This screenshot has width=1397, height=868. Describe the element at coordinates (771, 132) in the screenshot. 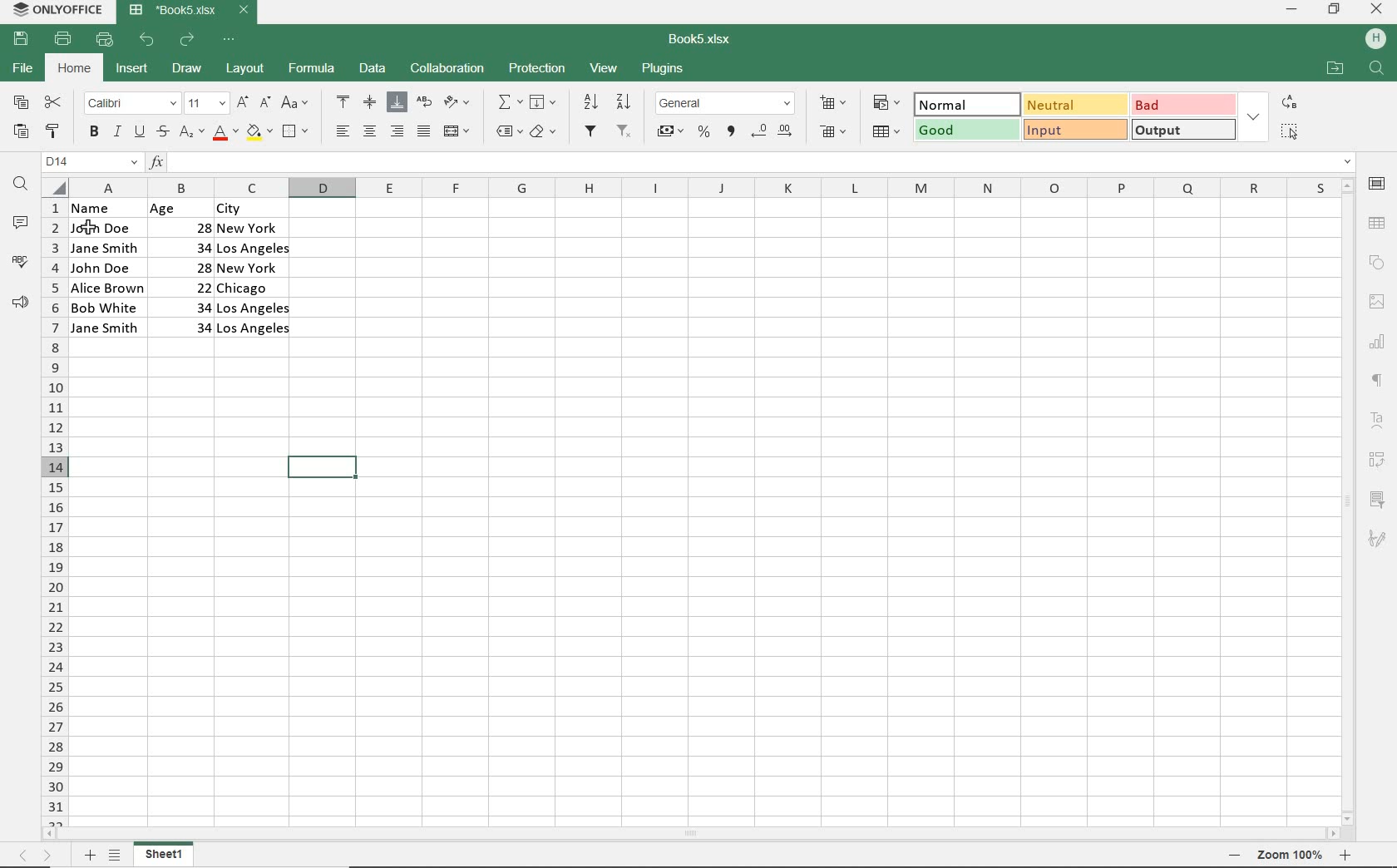

I see `CHANGE DECIMAL PLACE` at that location.